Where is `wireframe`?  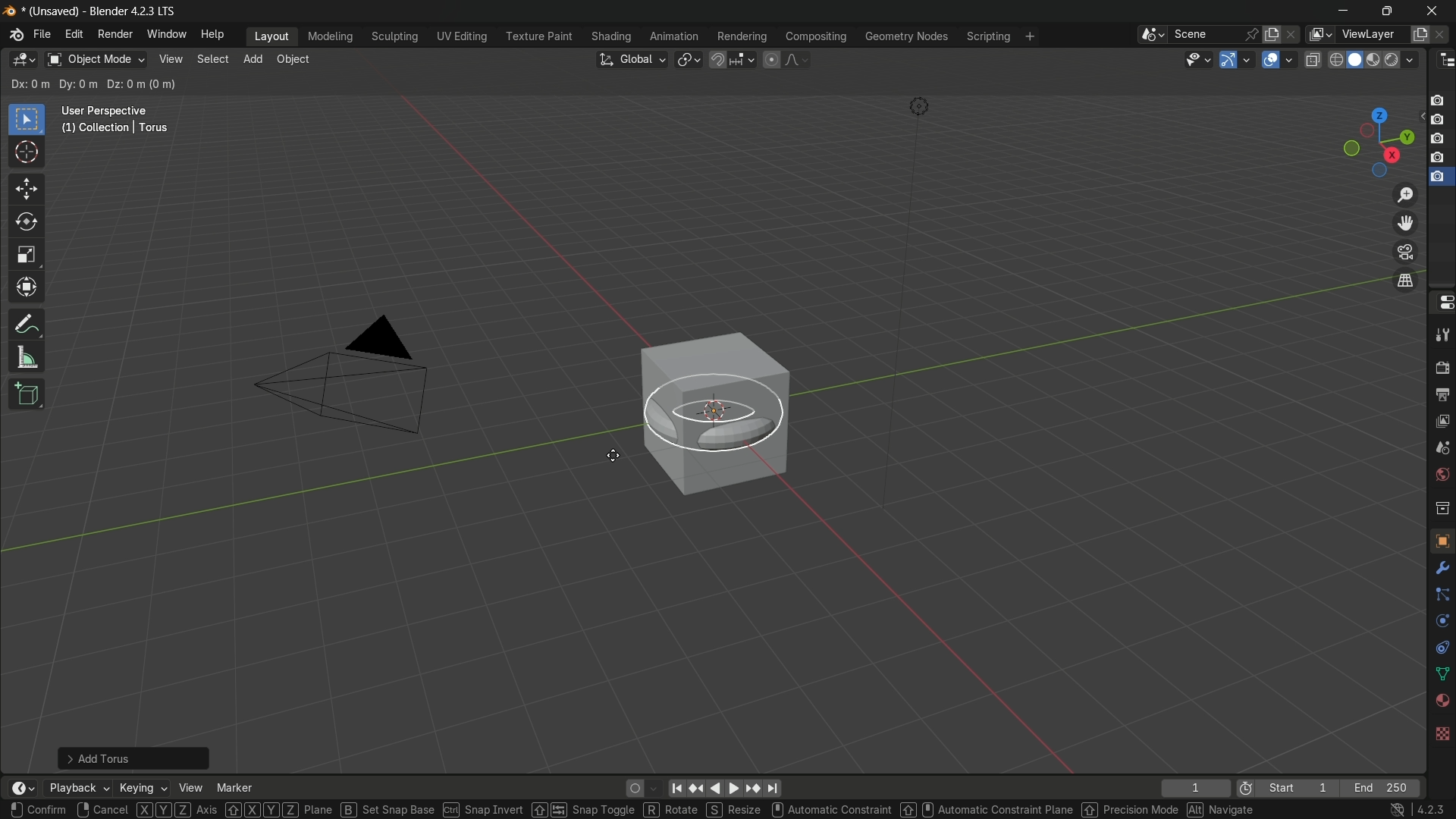
wireframe is located at coordinates (1336, 59).